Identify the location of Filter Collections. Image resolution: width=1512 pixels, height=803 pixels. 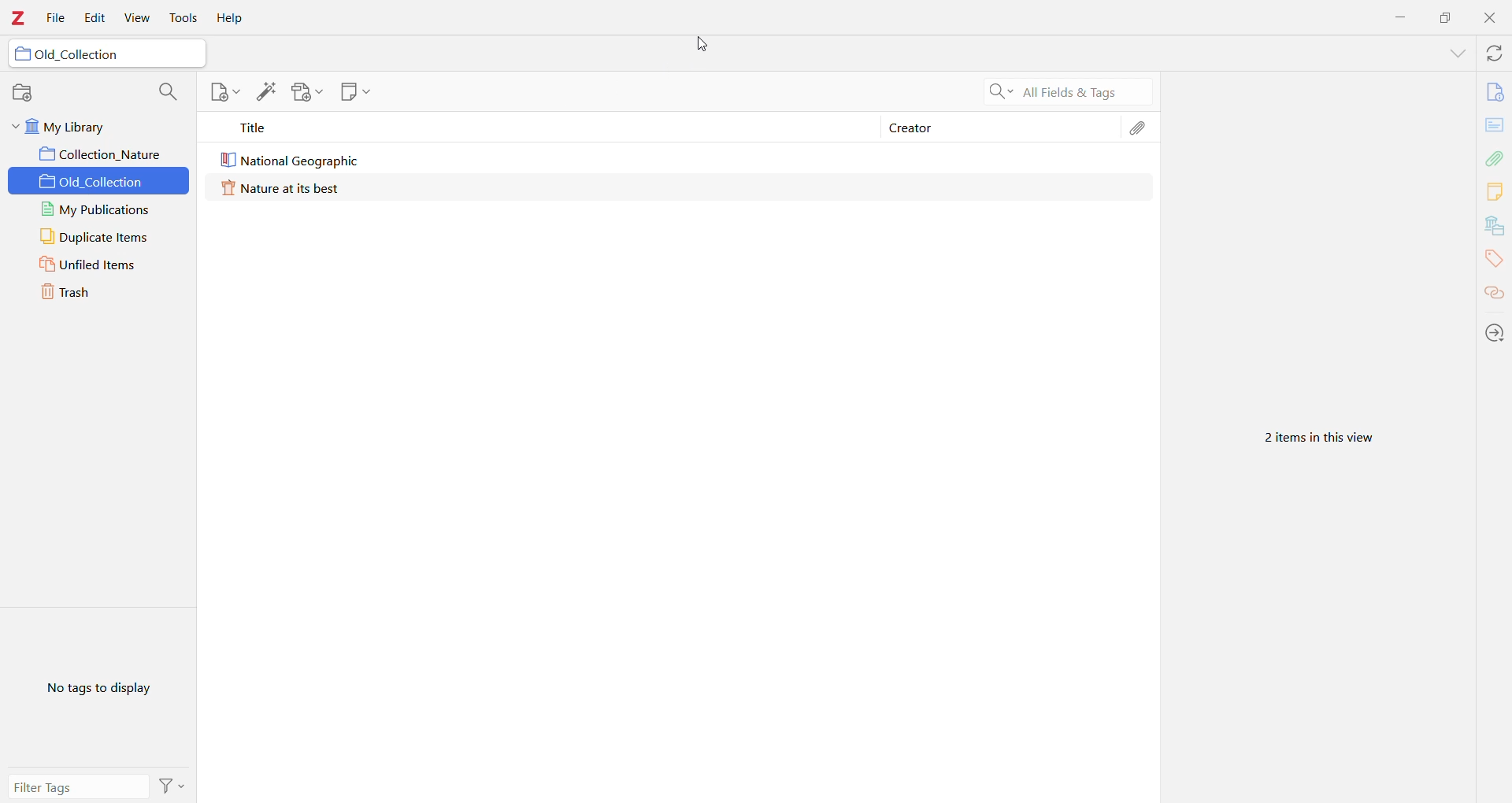
(172, 93).